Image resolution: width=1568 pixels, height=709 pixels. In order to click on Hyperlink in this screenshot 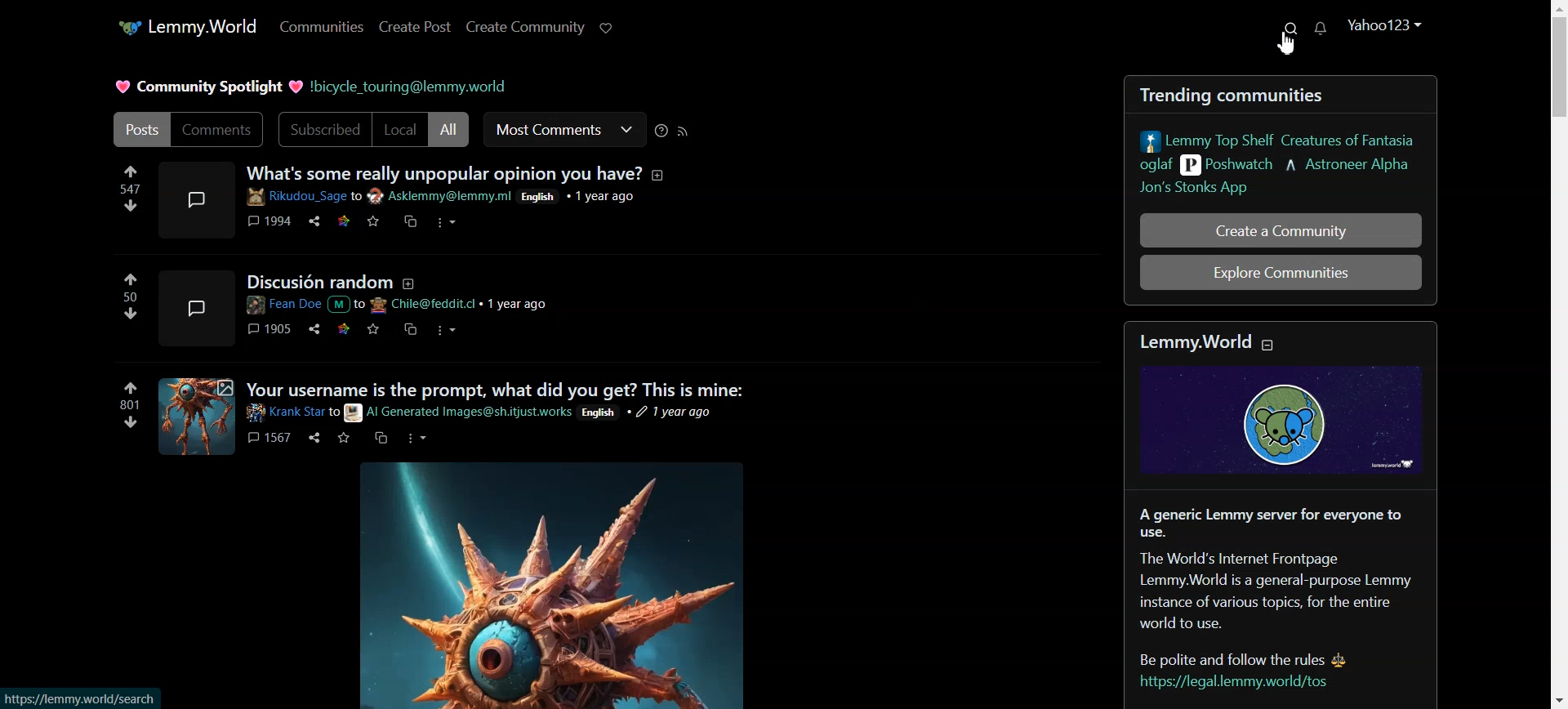, I will do `click(420, 86)`.